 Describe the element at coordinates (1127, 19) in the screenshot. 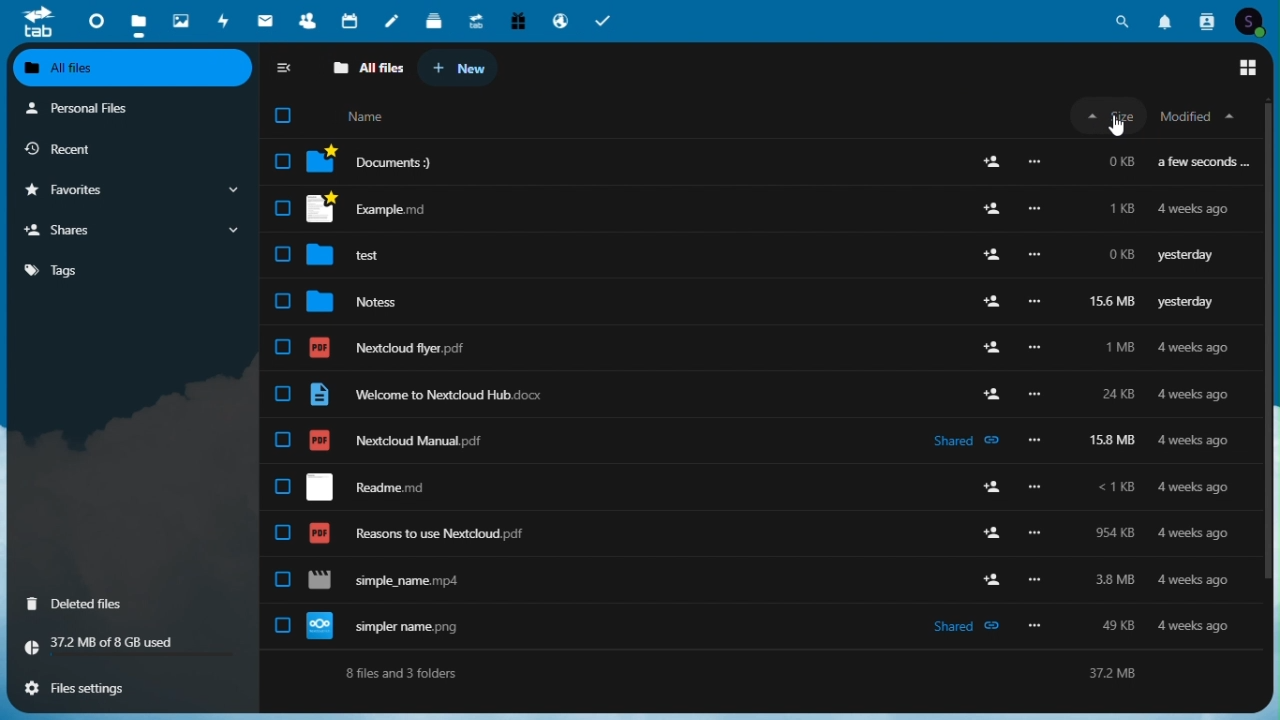

I see `Search` at that location.